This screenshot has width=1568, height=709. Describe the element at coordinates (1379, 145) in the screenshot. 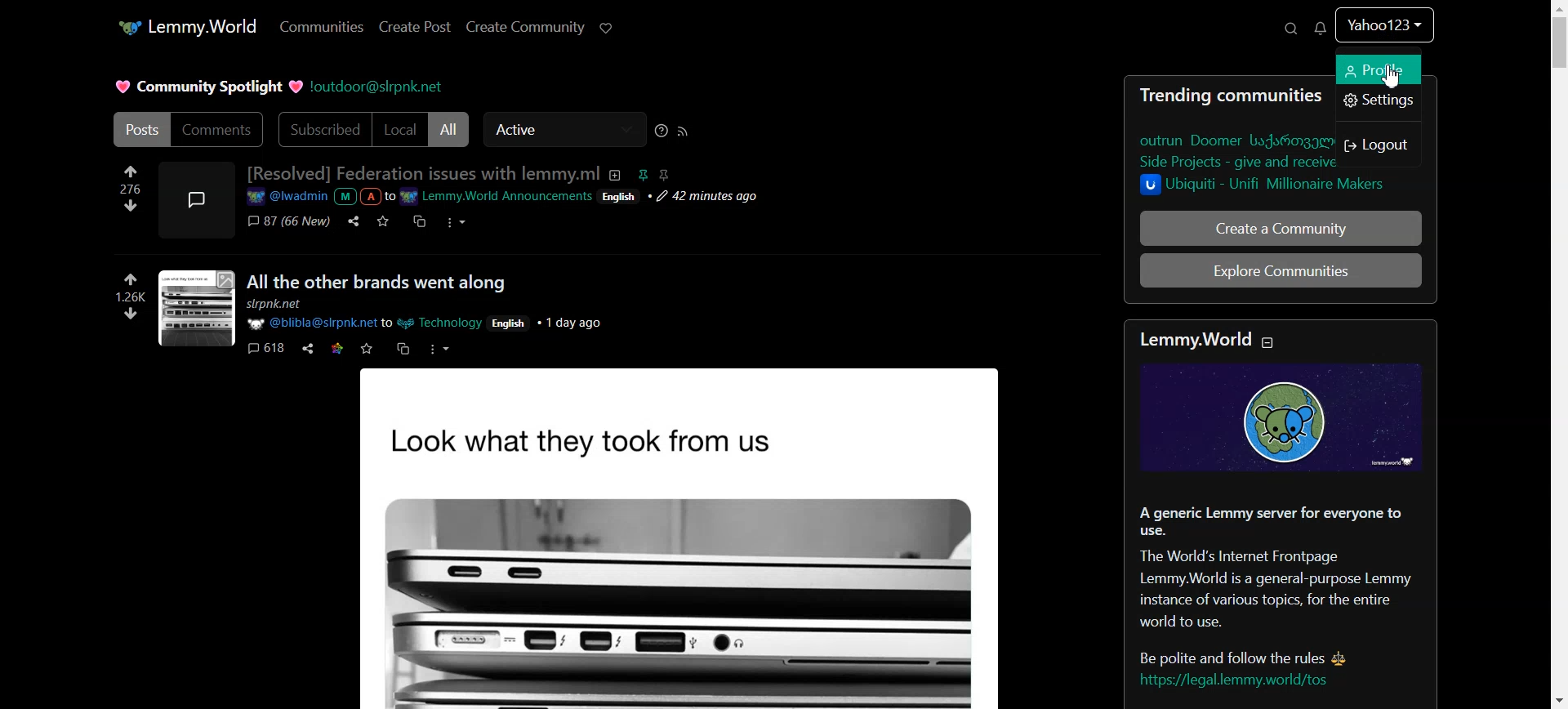

I see `Logout` at that location.